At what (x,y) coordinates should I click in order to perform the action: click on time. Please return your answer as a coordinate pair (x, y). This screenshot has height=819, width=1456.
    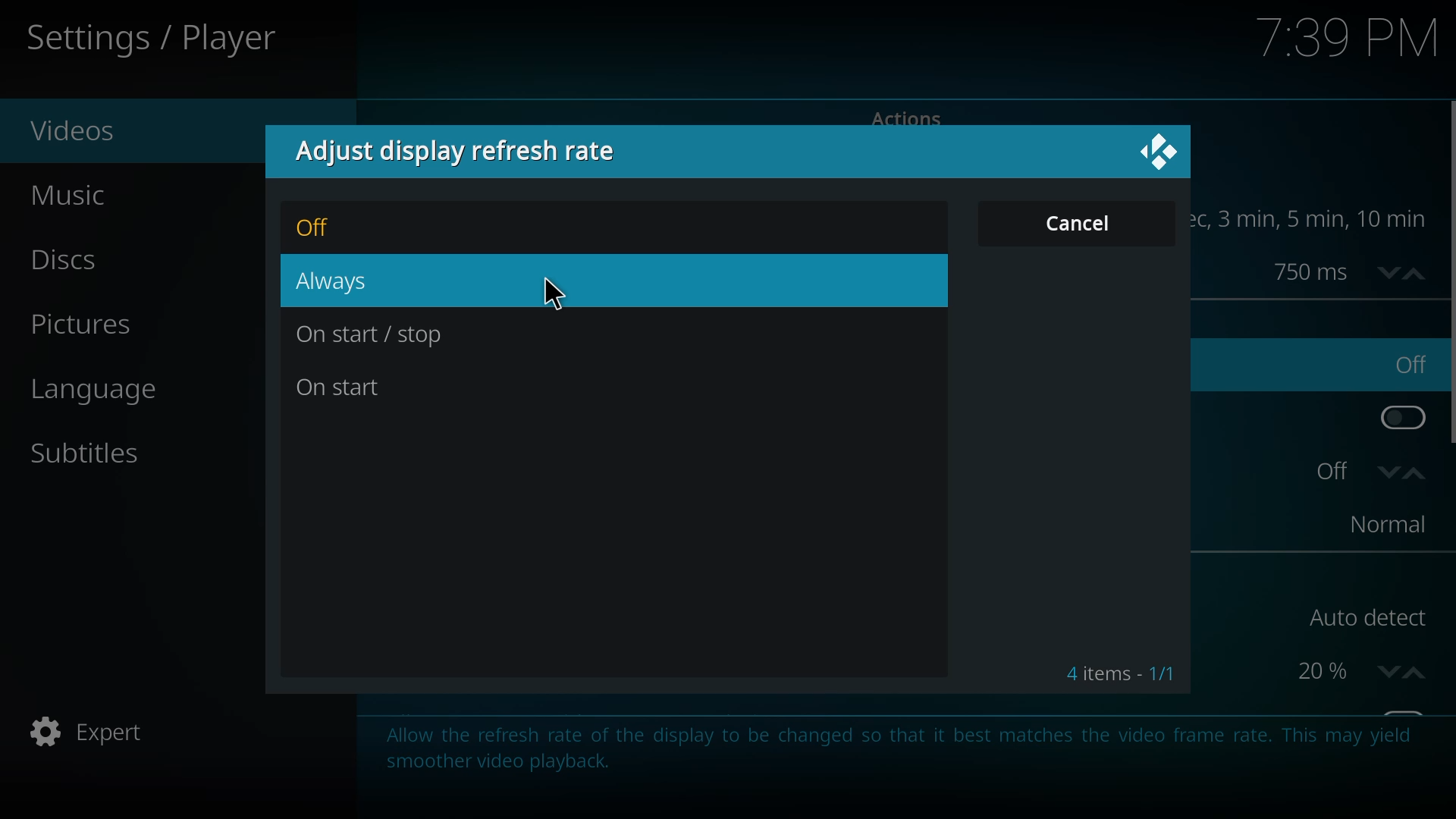
    Looking at the image, I should click on (1351, 38).